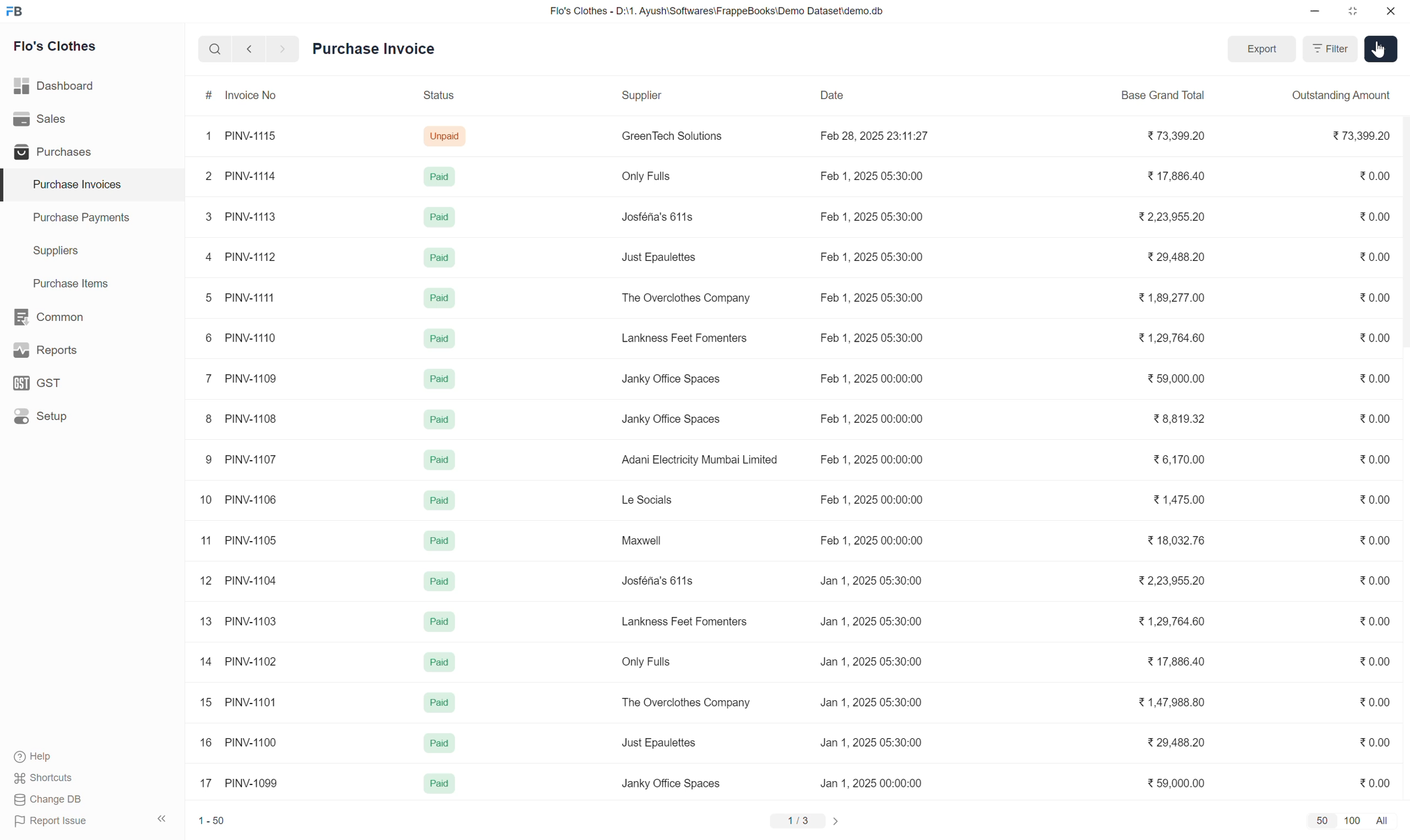 The image size is (1410, 840). Describe the element at coordinates (1369, 460) in the screenshot. I see `0.00` at that location.